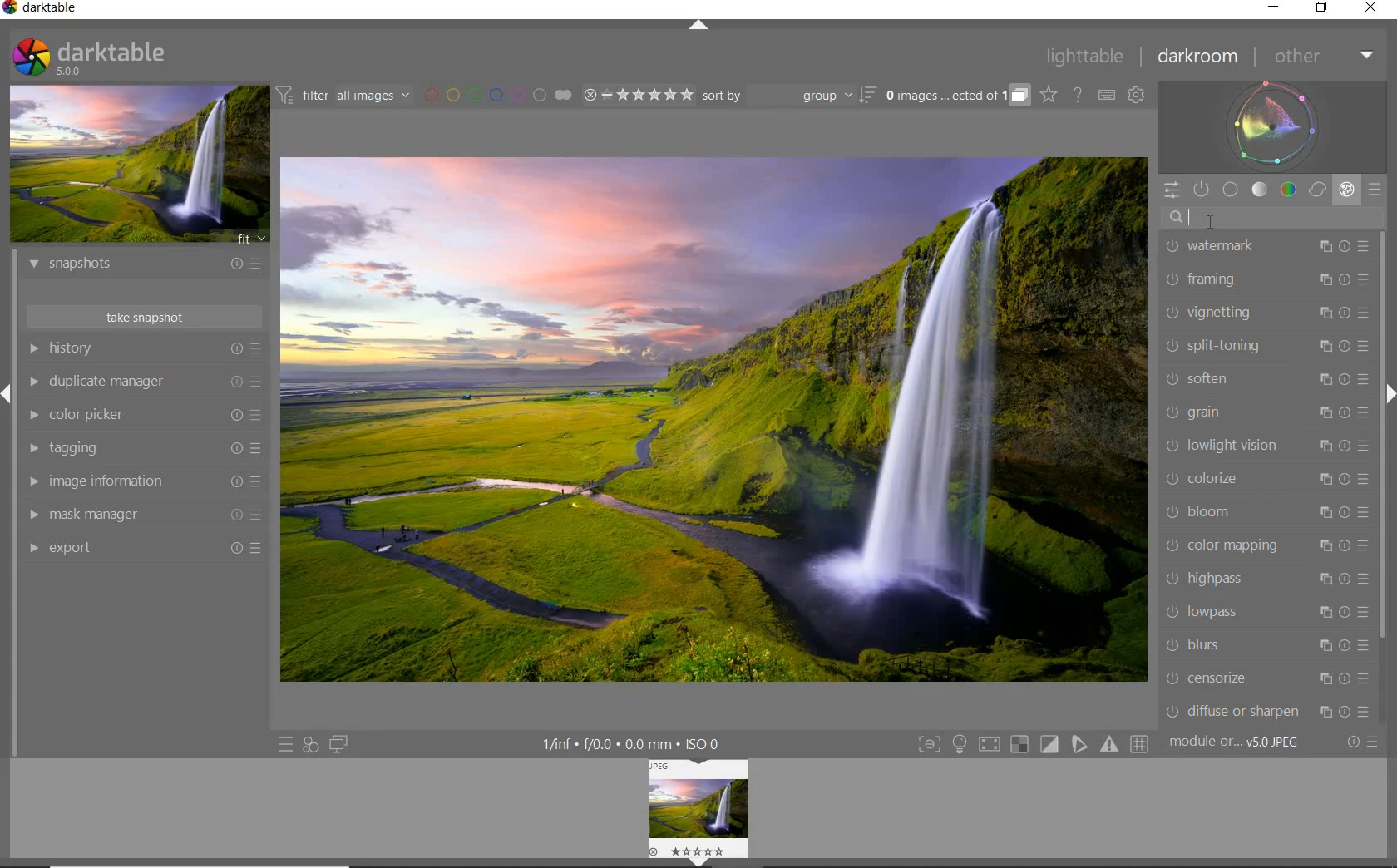 The height and width of the screenshot is (868, 1397). I want to click on RANGE RATING OF SELECTED IMAGES, so click(638, 94).